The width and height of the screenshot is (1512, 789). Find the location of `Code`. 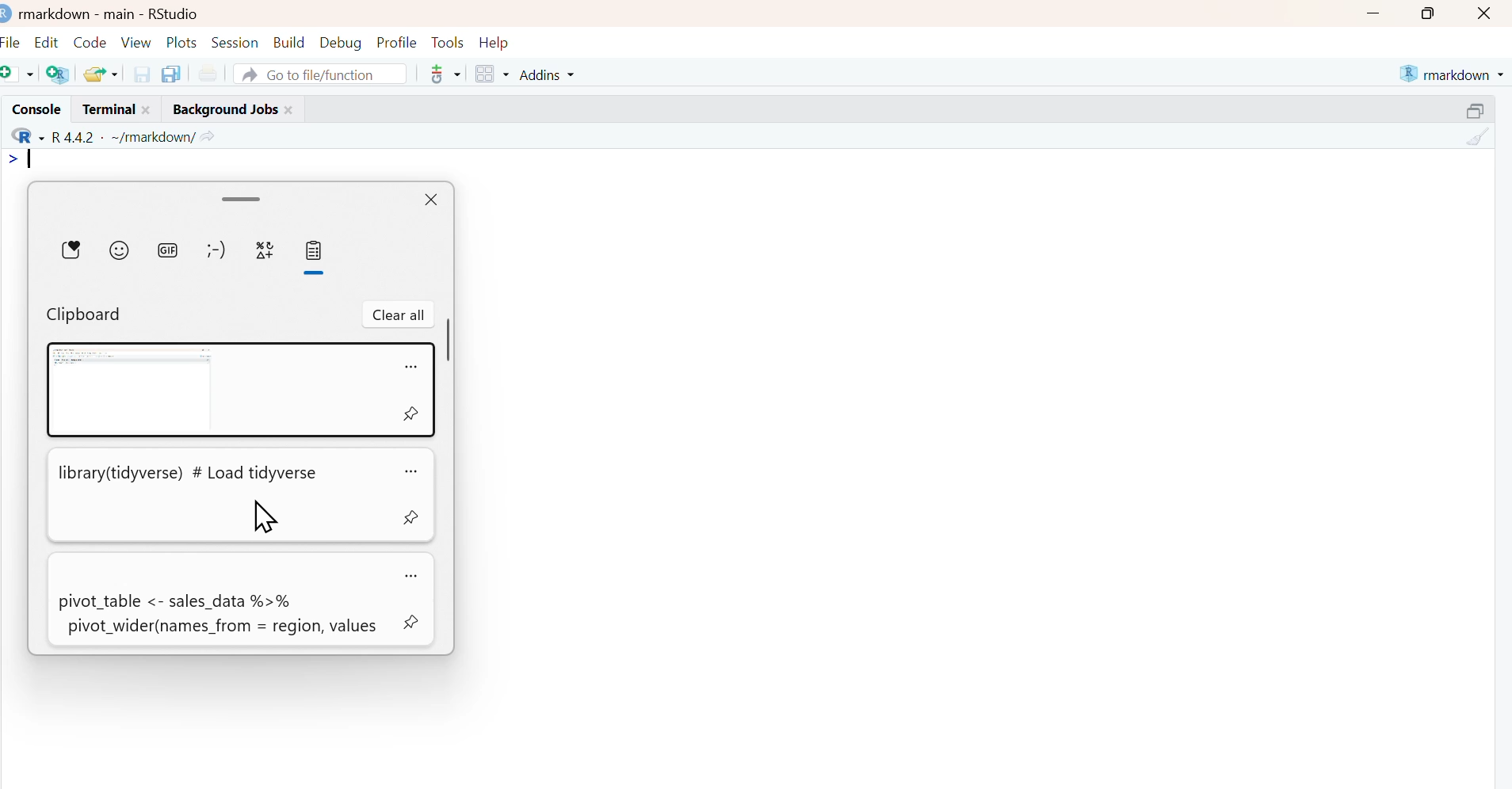

Code is located at coordinates (90, 38).